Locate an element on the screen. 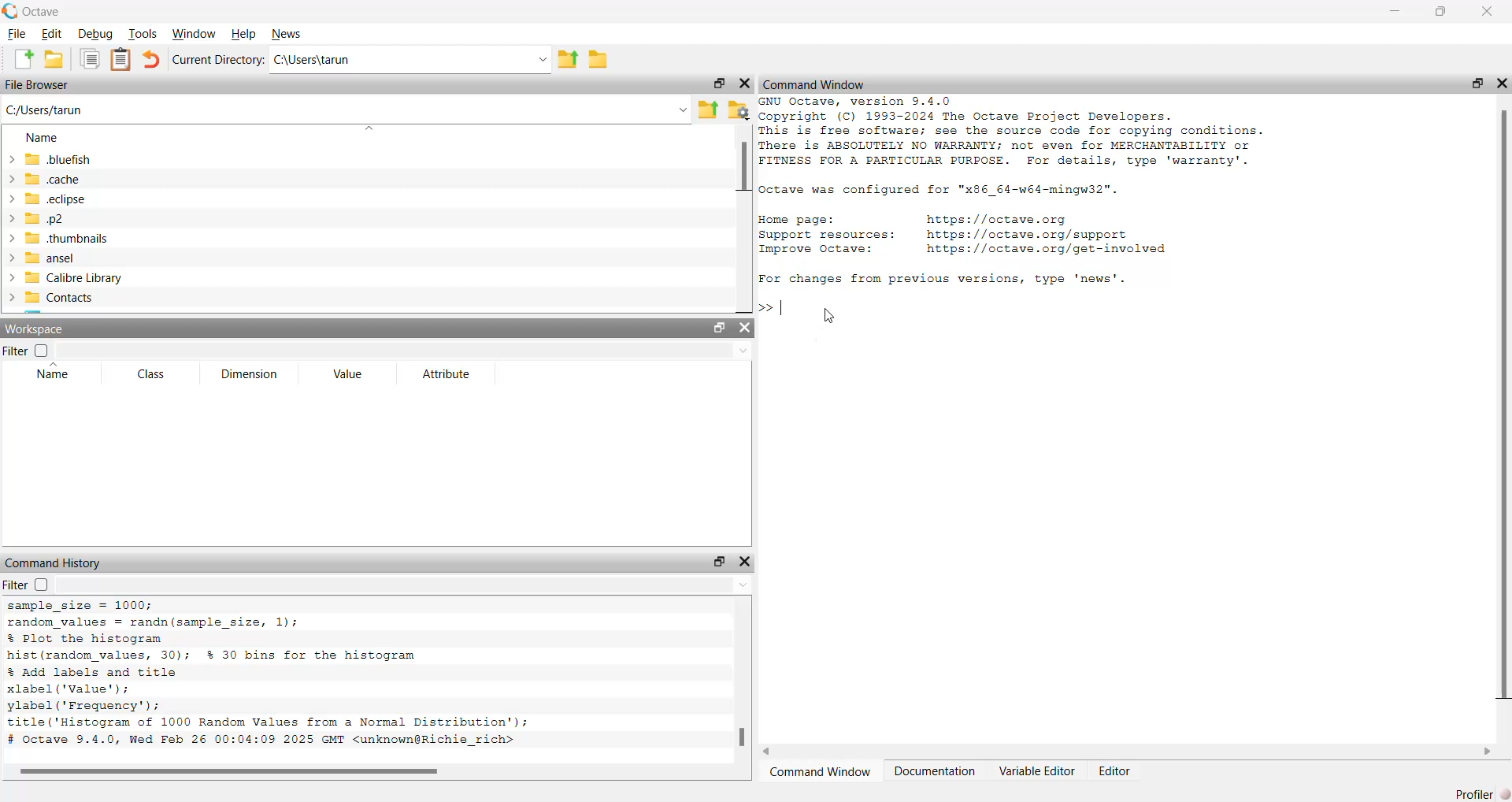  Folder is located at coordinates (599, 60).